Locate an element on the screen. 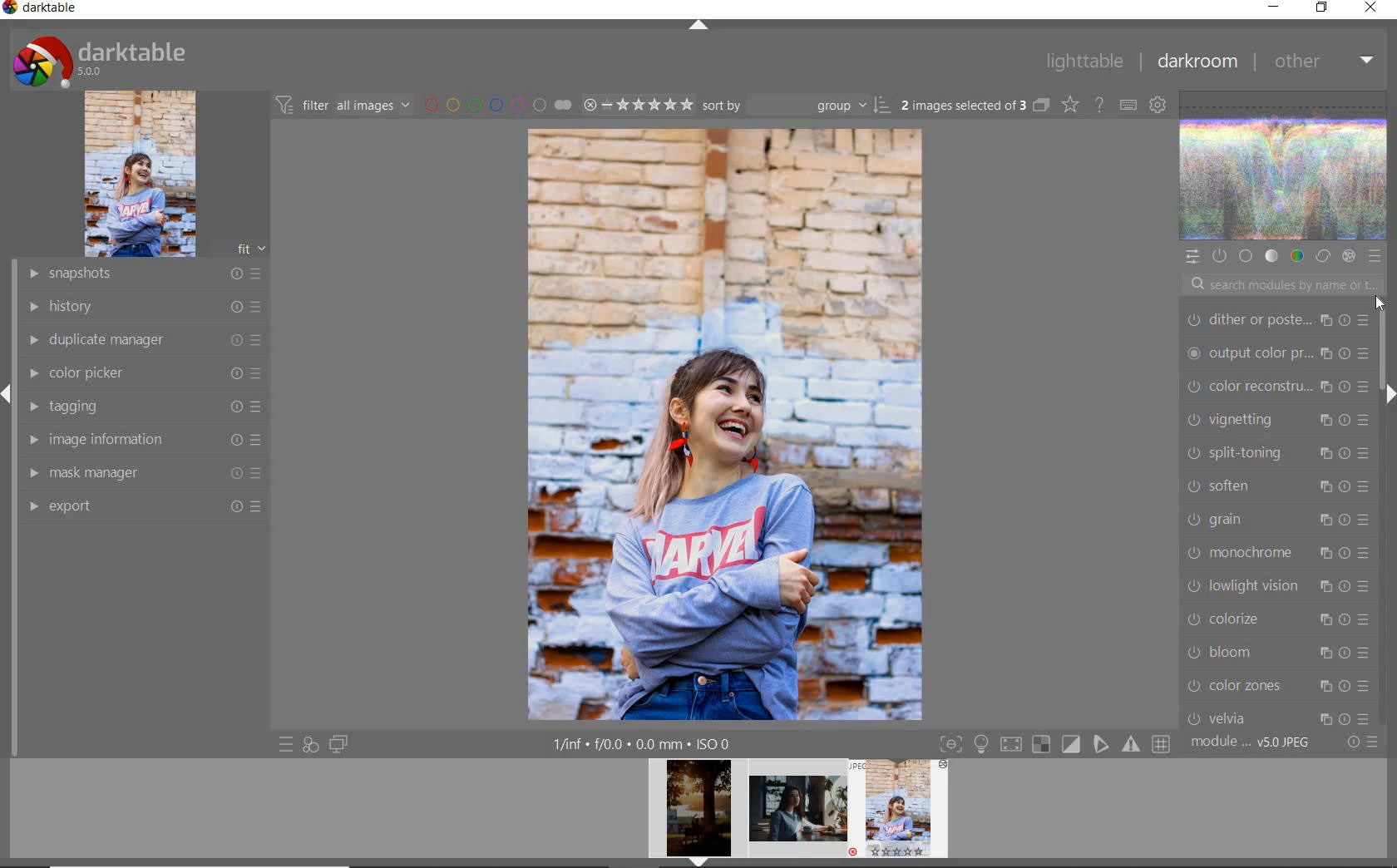 The width and height of the screenshot is (1397, 868). expand/collapse is located at coordinates (698, 27).